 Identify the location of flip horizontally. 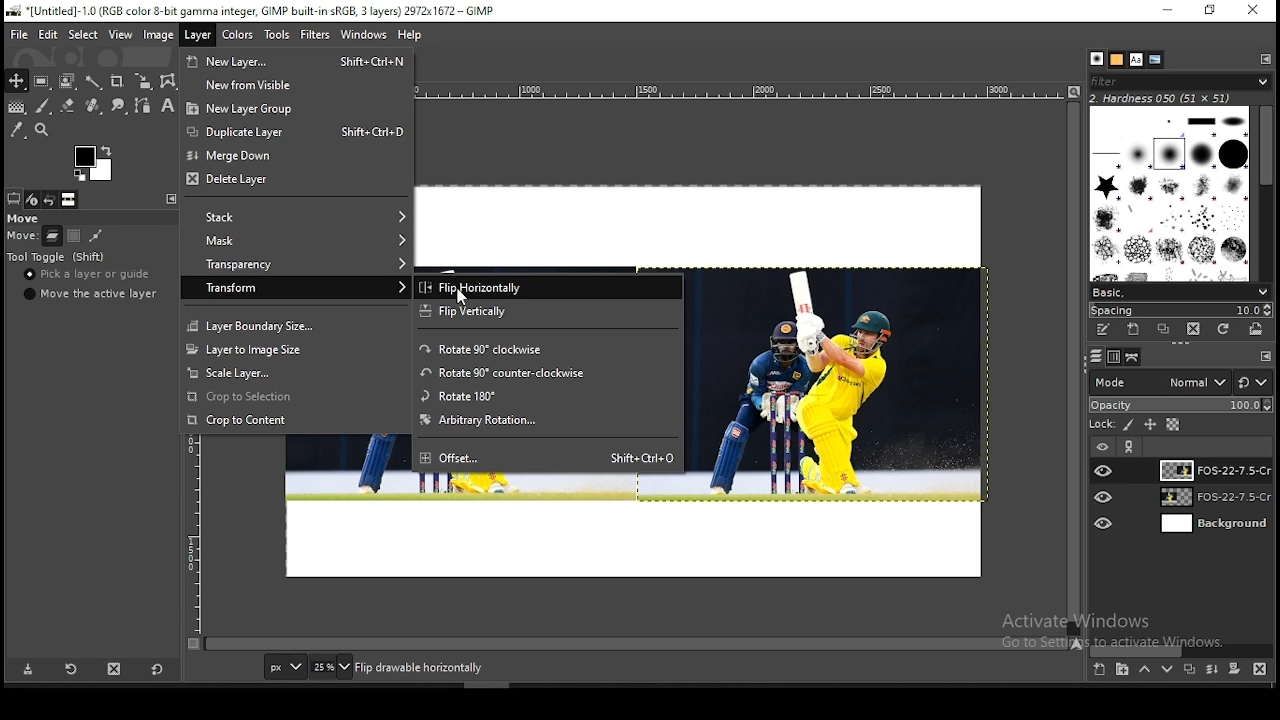
(547, 287).